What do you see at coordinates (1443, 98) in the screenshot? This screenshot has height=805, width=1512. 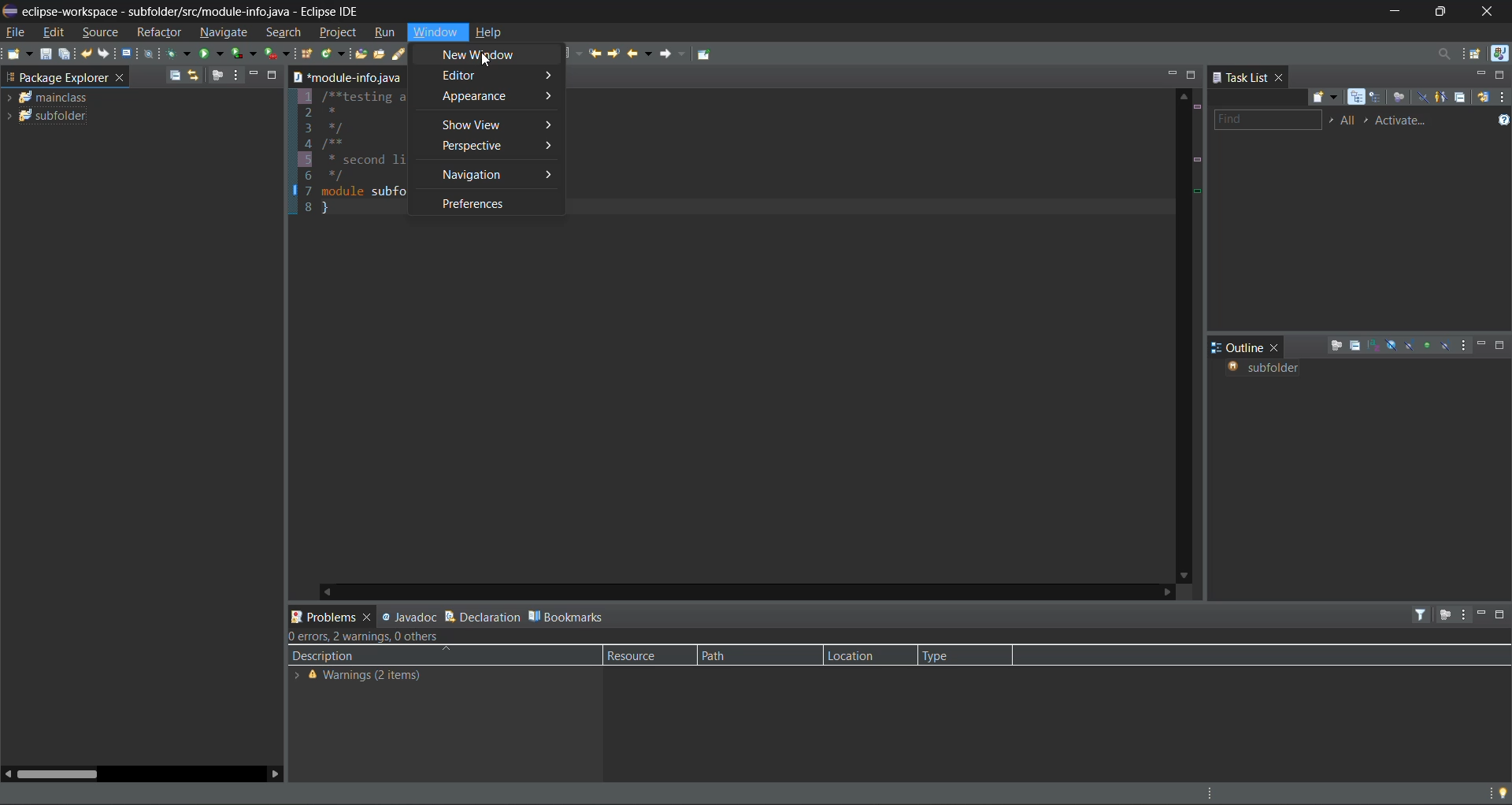 I see `show only my tasks` at bounding box center [1443, 98].